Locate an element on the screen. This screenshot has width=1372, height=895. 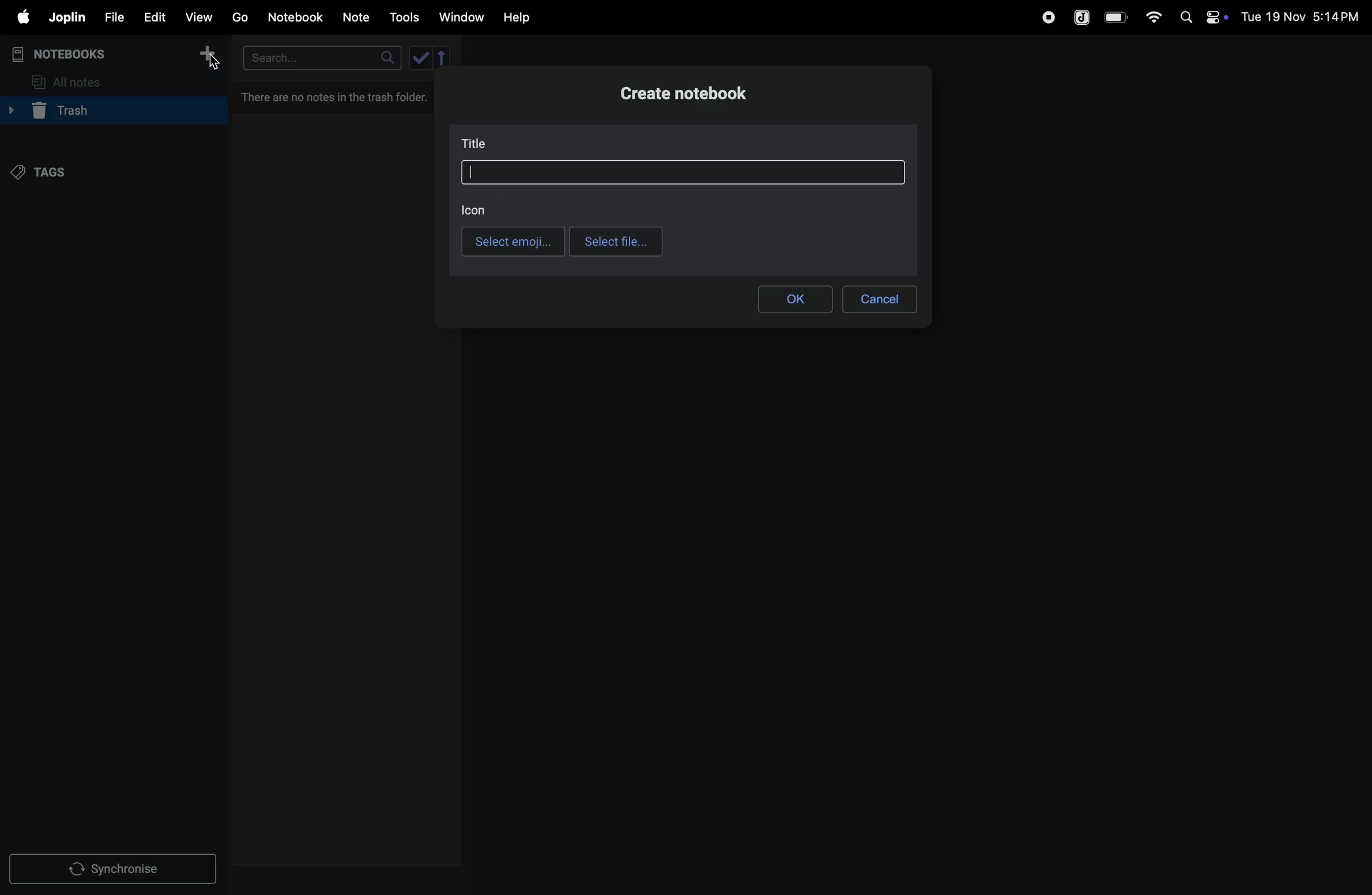
tools is located at coordinates (402, 17).